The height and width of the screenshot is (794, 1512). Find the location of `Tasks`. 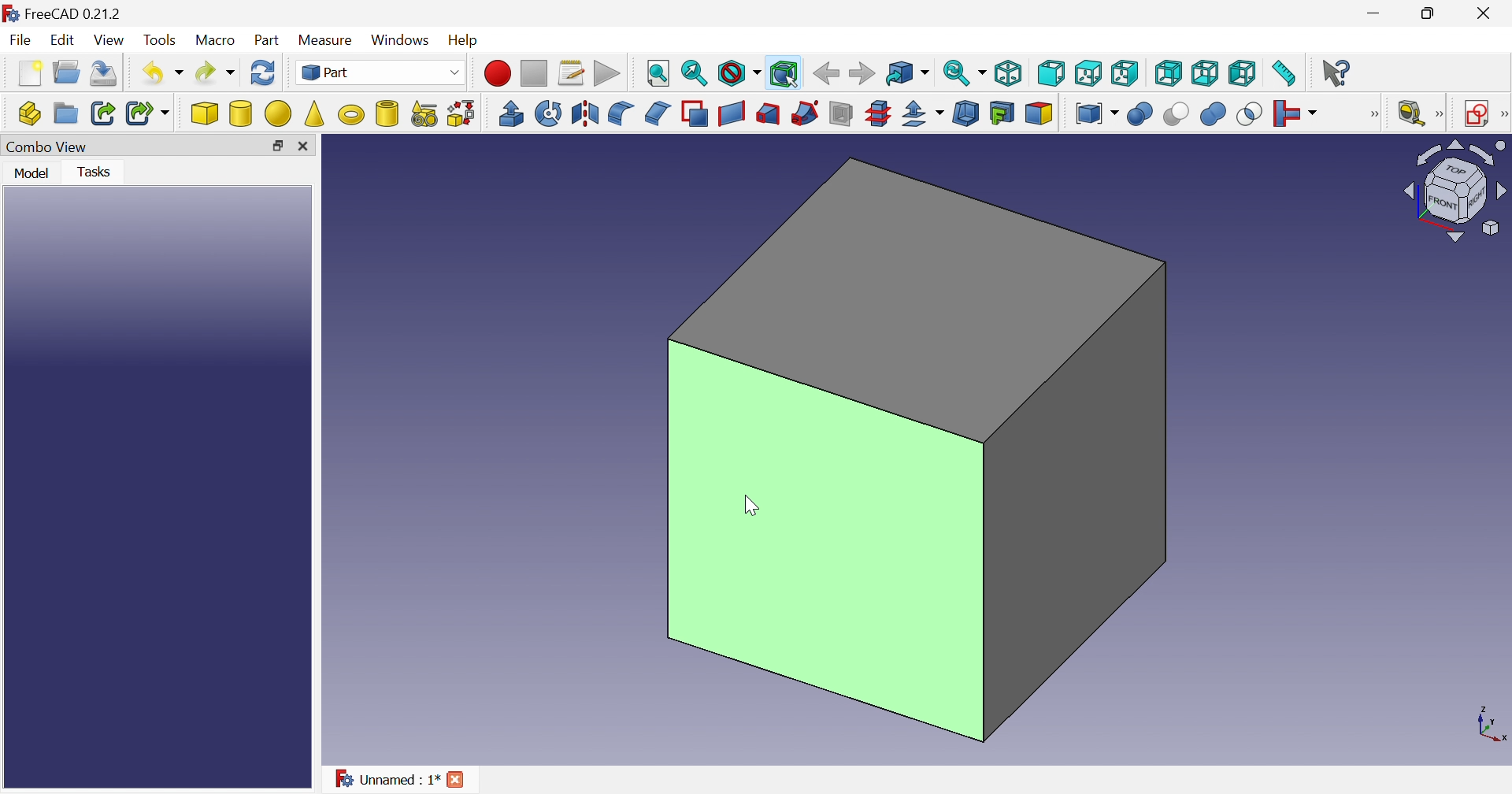

Tasks is located at coordinates (99, 171).